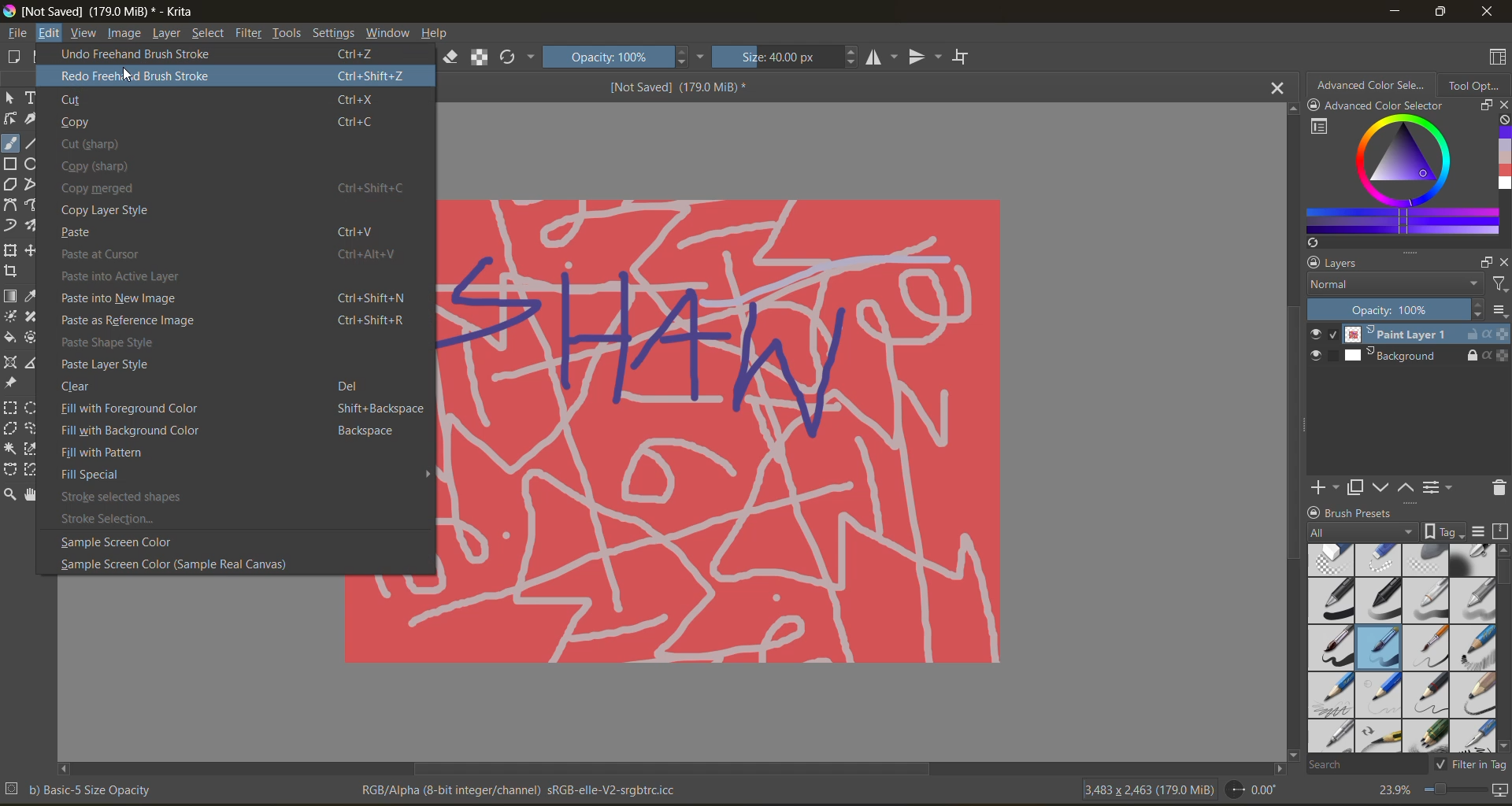 Image resolution: width=1512 pixels, height=806 pixels. Describe the element at coordinates (1473, 84) in the screenshot. I see `tool options` at that location.